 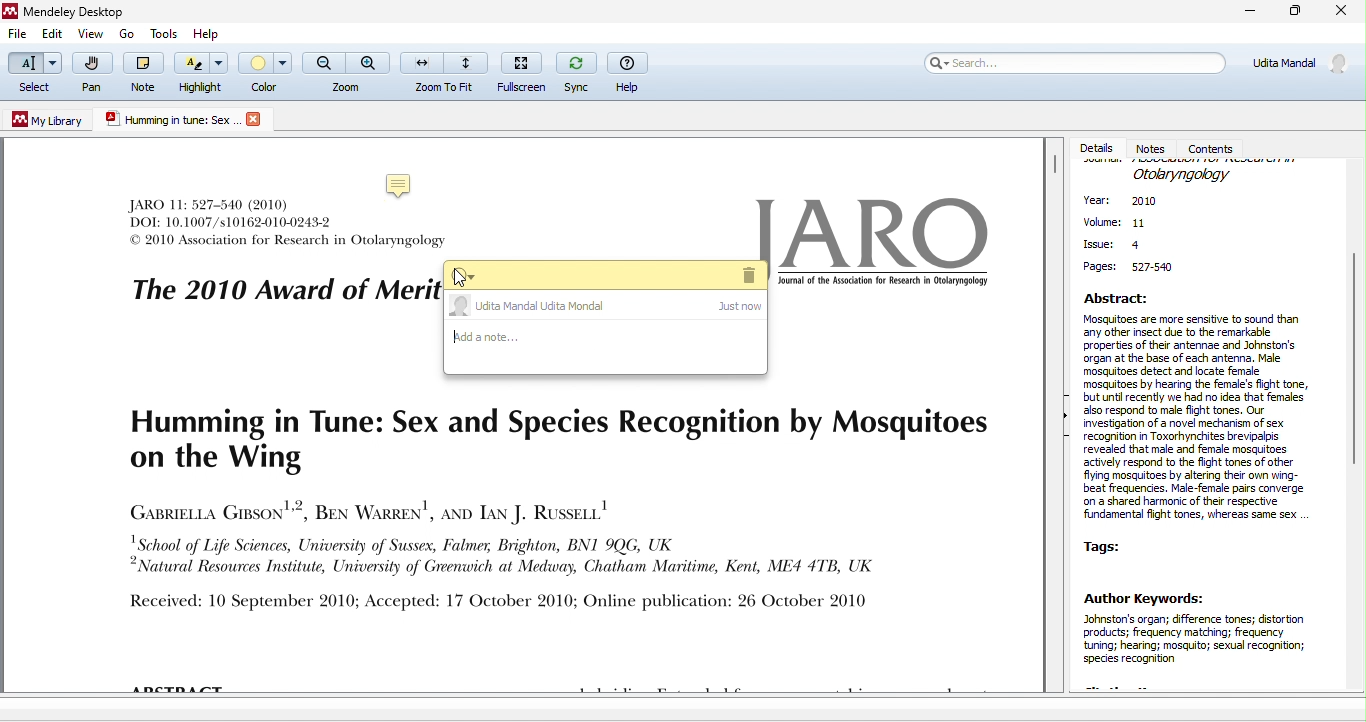 What do you see at coordinates (520, 72) in the screenshot?
I see `fullscreen` at bounding box center [520, 72].